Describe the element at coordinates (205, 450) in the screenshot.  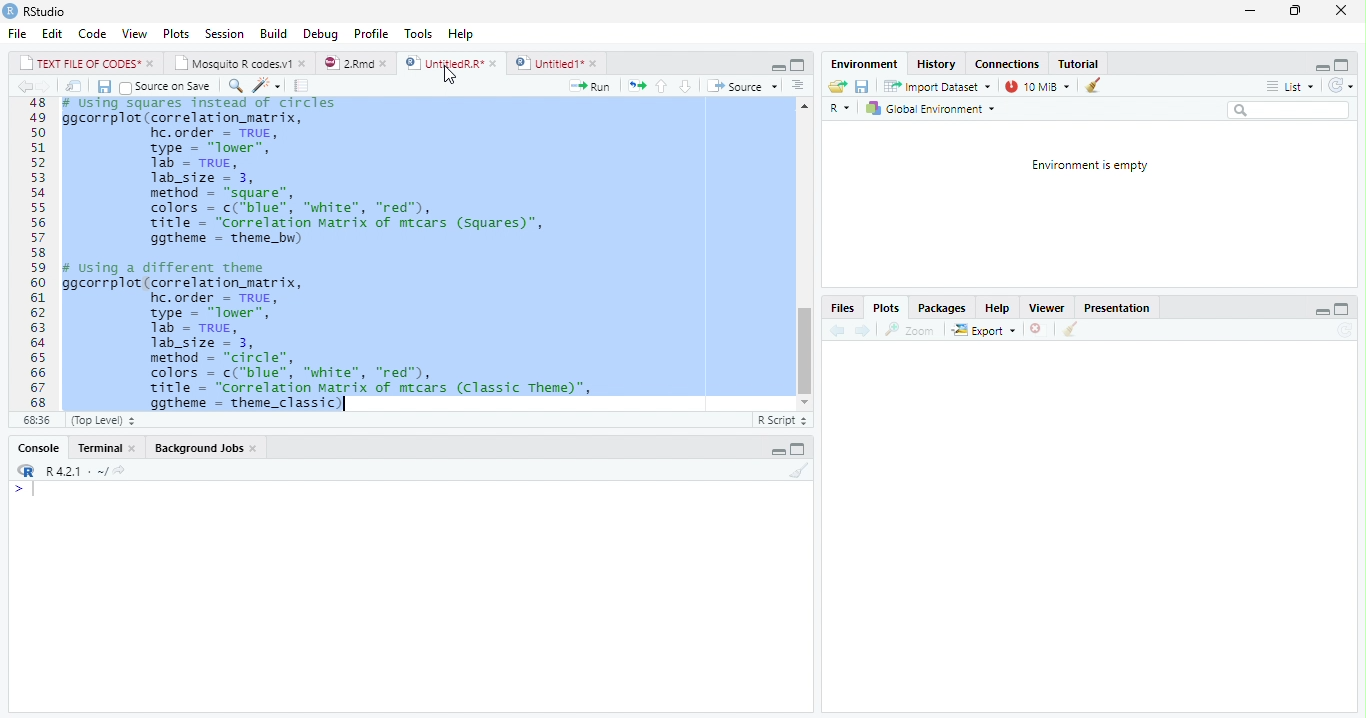
I see `Background Jobs` at that location.